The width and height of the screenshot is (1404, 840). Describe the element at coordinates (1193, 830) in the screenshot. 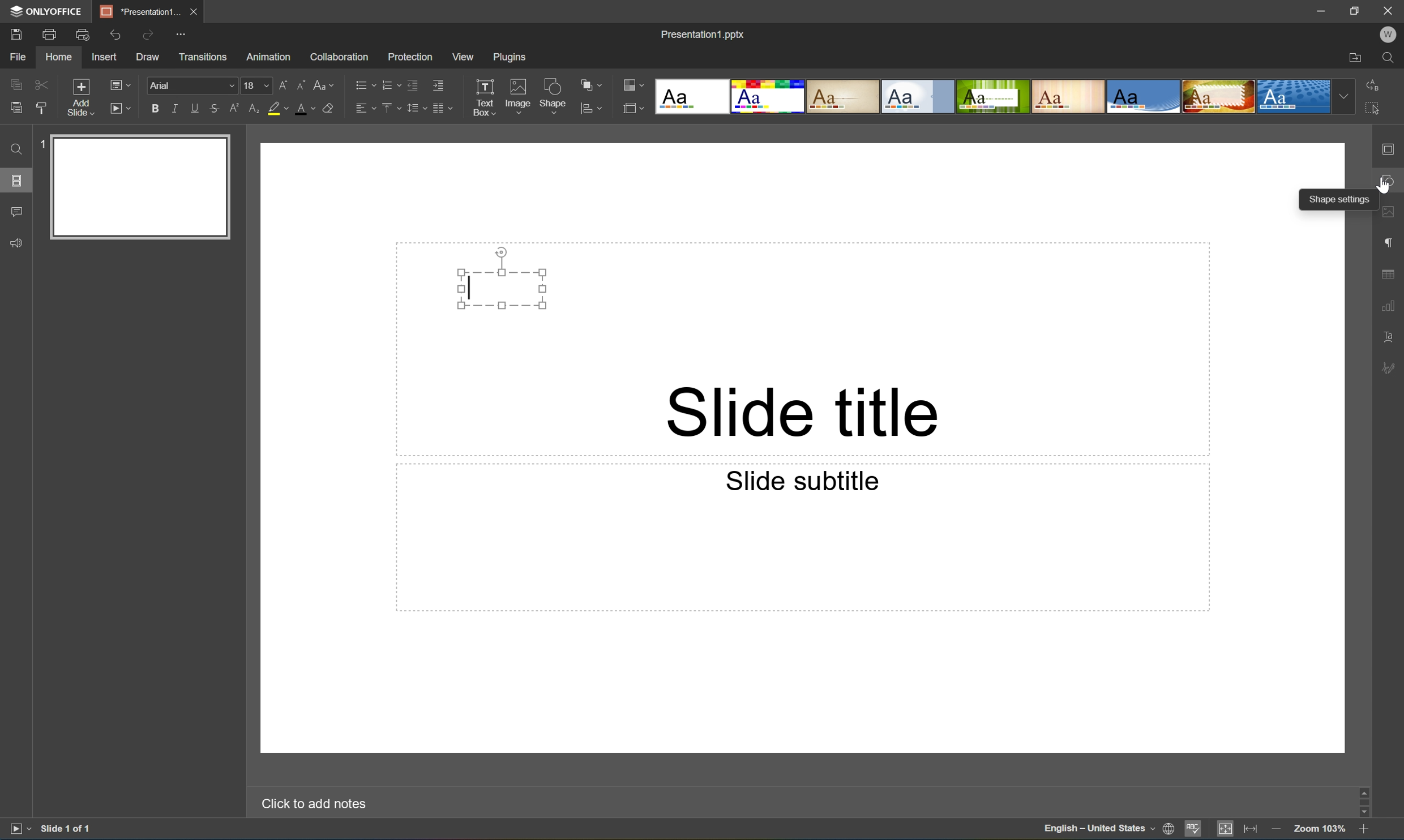

I see `Spell checking` at that location.